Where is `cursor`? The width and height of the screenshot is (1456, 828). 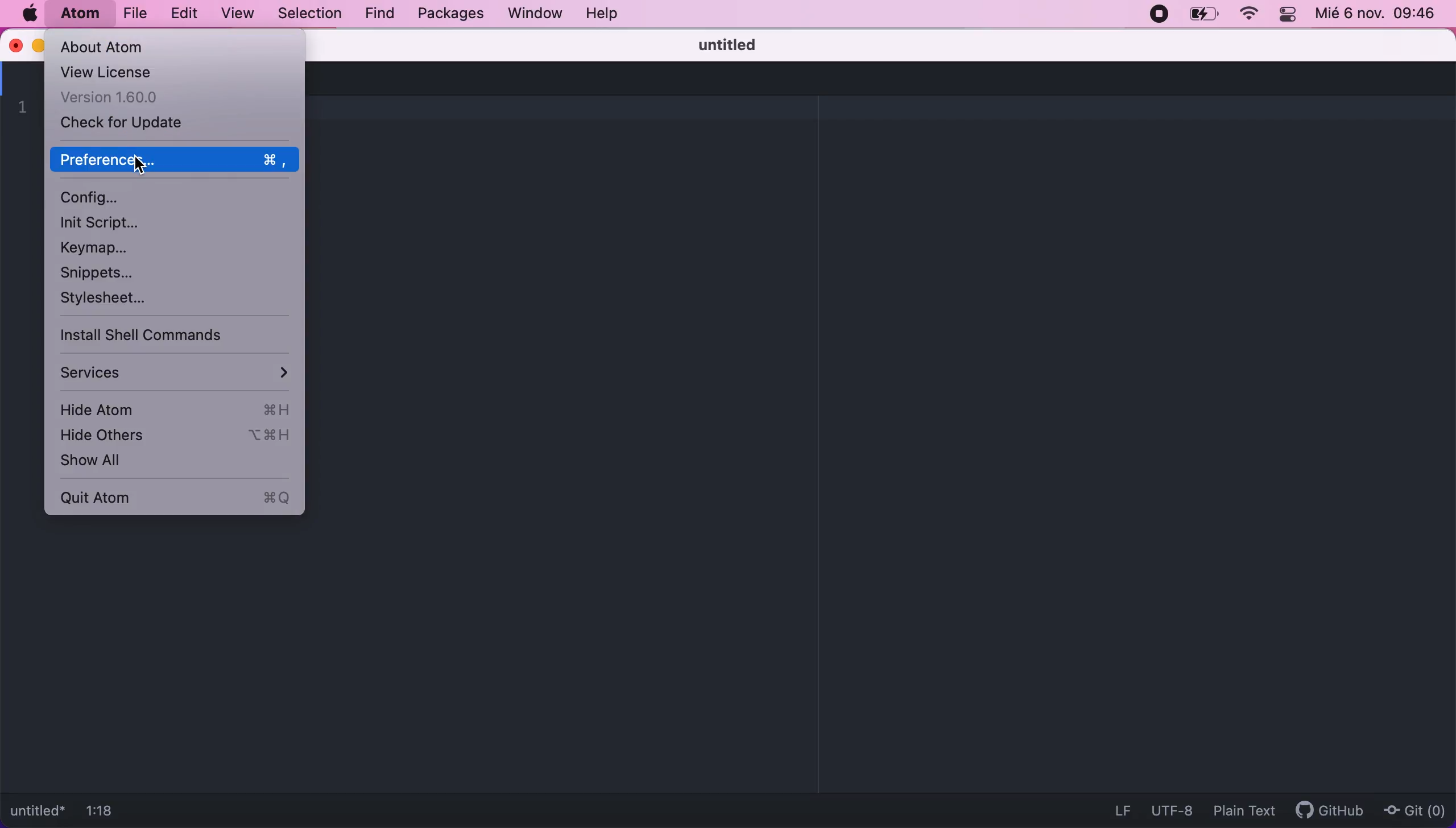 cursor is located at coordinates (142, 164).